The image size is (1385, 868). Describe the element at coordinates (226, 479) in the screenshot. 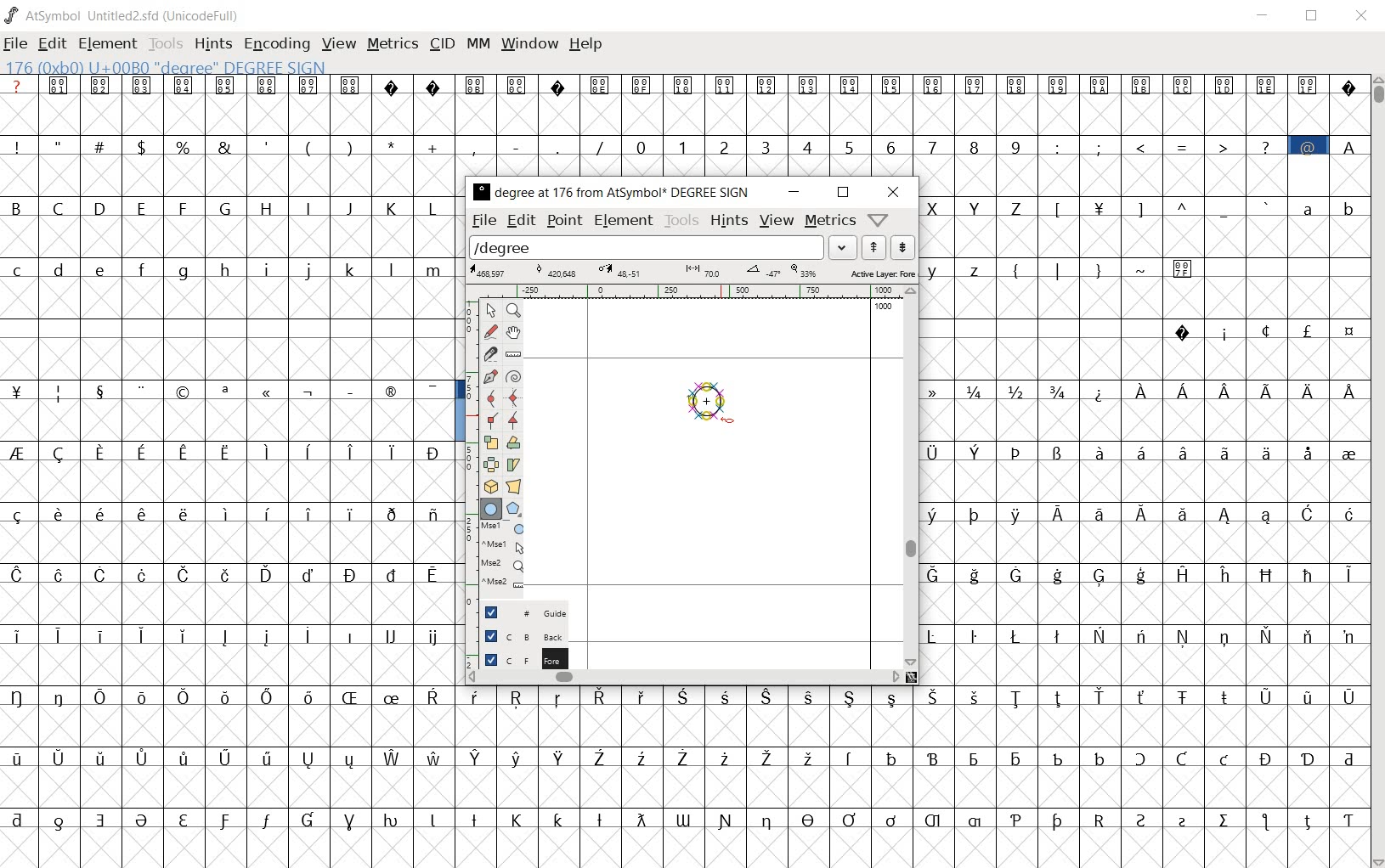

I see `empty glyph slots` at that location.